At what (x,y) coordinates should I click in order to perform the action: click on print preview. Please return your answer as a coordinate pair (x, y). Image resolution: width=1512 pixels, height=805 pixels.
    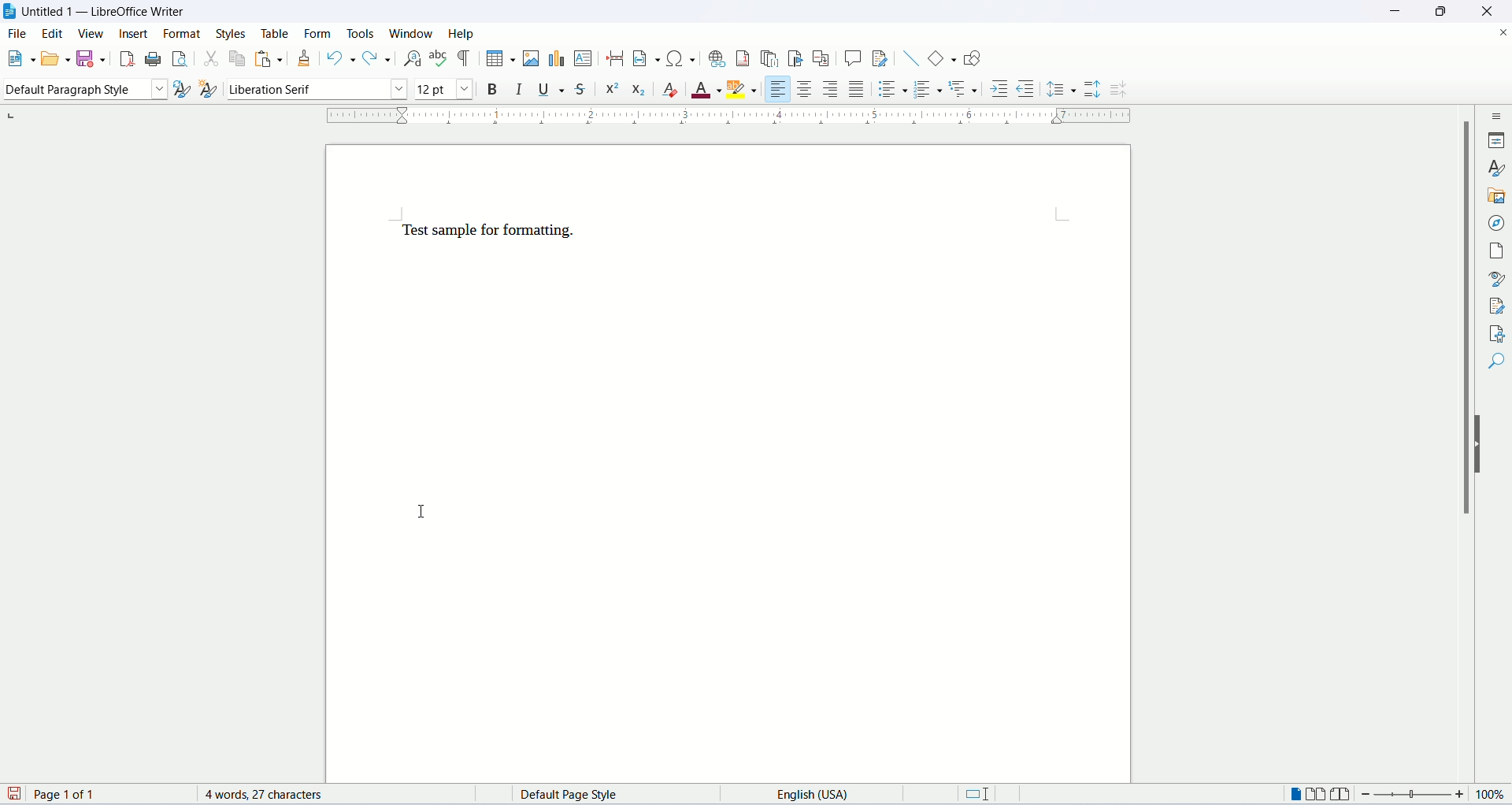
    Looking at the image, I should click on (180, 57).